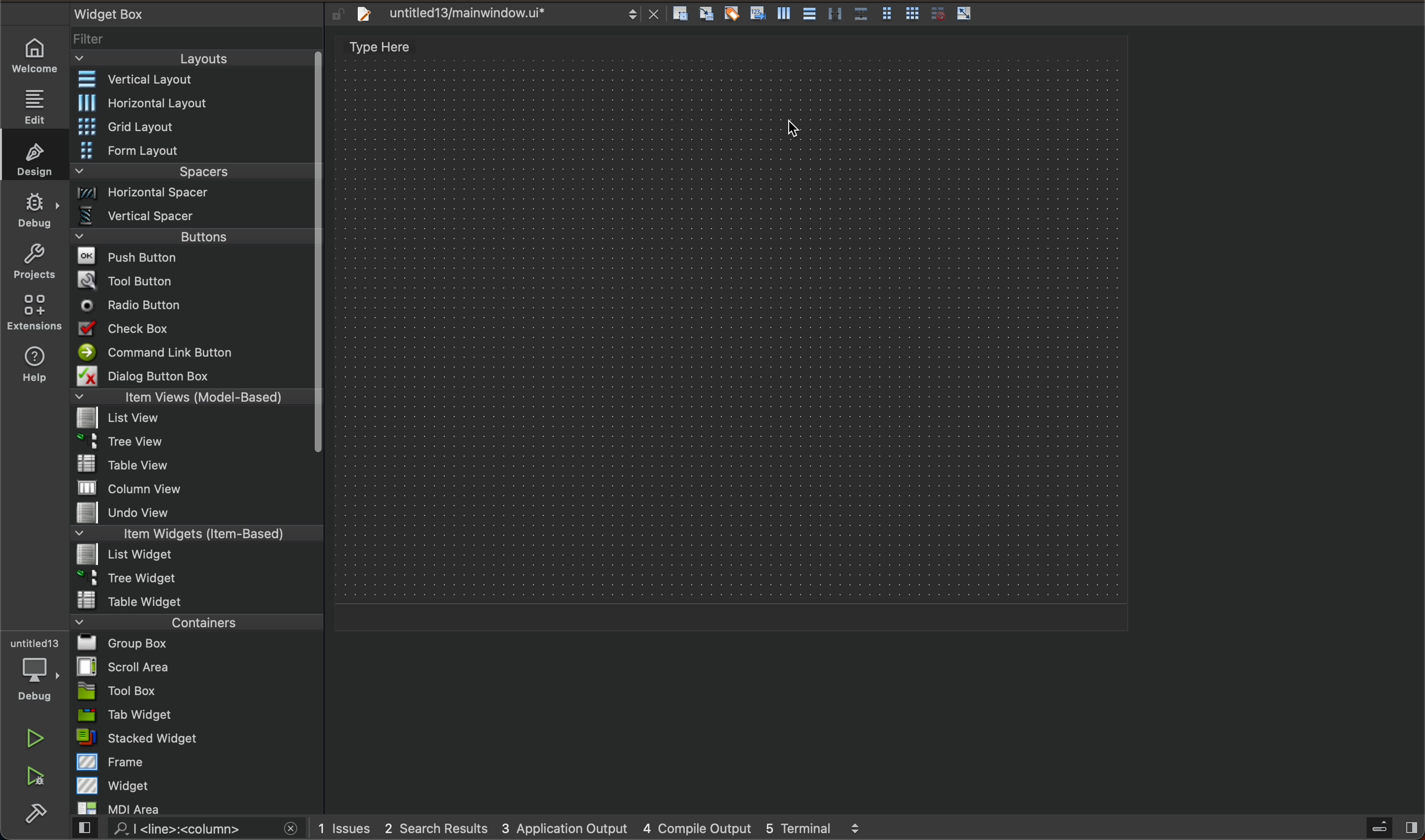 The height and width of the screenshot is (840, 1425). Describe the element at coordinates (196, 762) in the screenshot. I see `frame` at that location.